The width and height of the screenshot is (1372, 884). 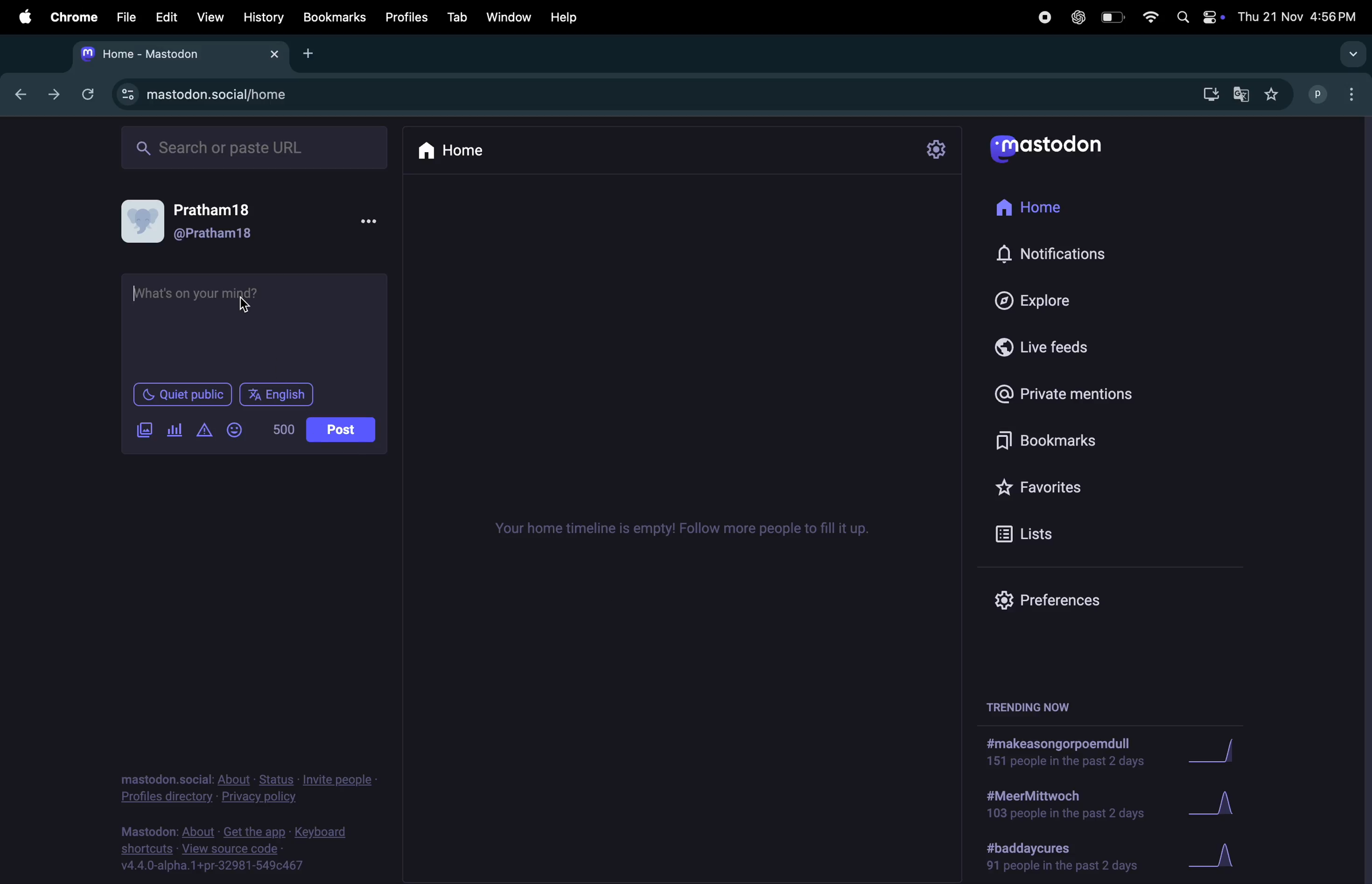 I want to click on wifi, so click(x=1148, y=19).